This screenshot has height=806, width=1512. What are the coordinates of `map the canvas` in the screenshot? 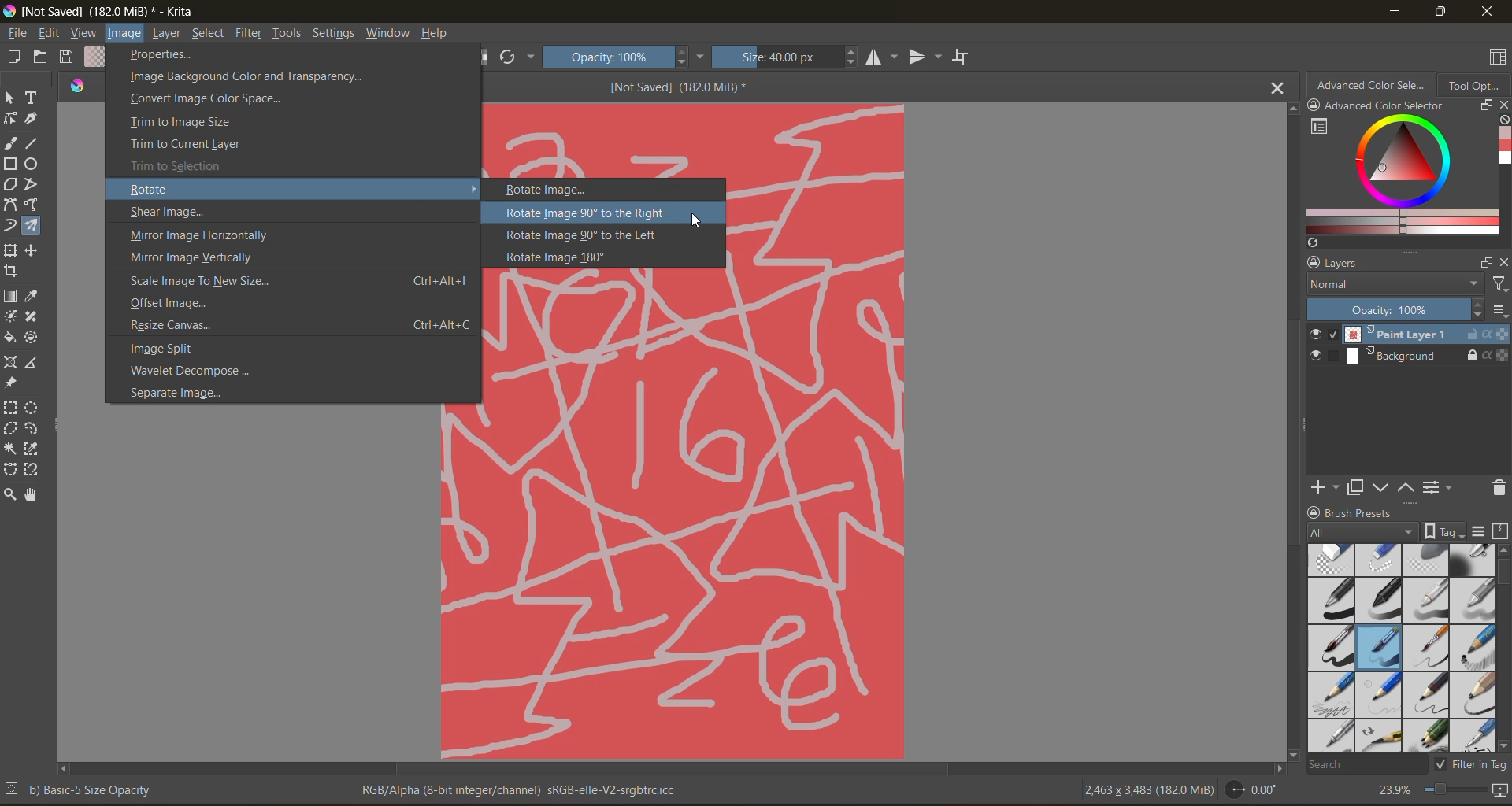 It's located at (1499, 790).